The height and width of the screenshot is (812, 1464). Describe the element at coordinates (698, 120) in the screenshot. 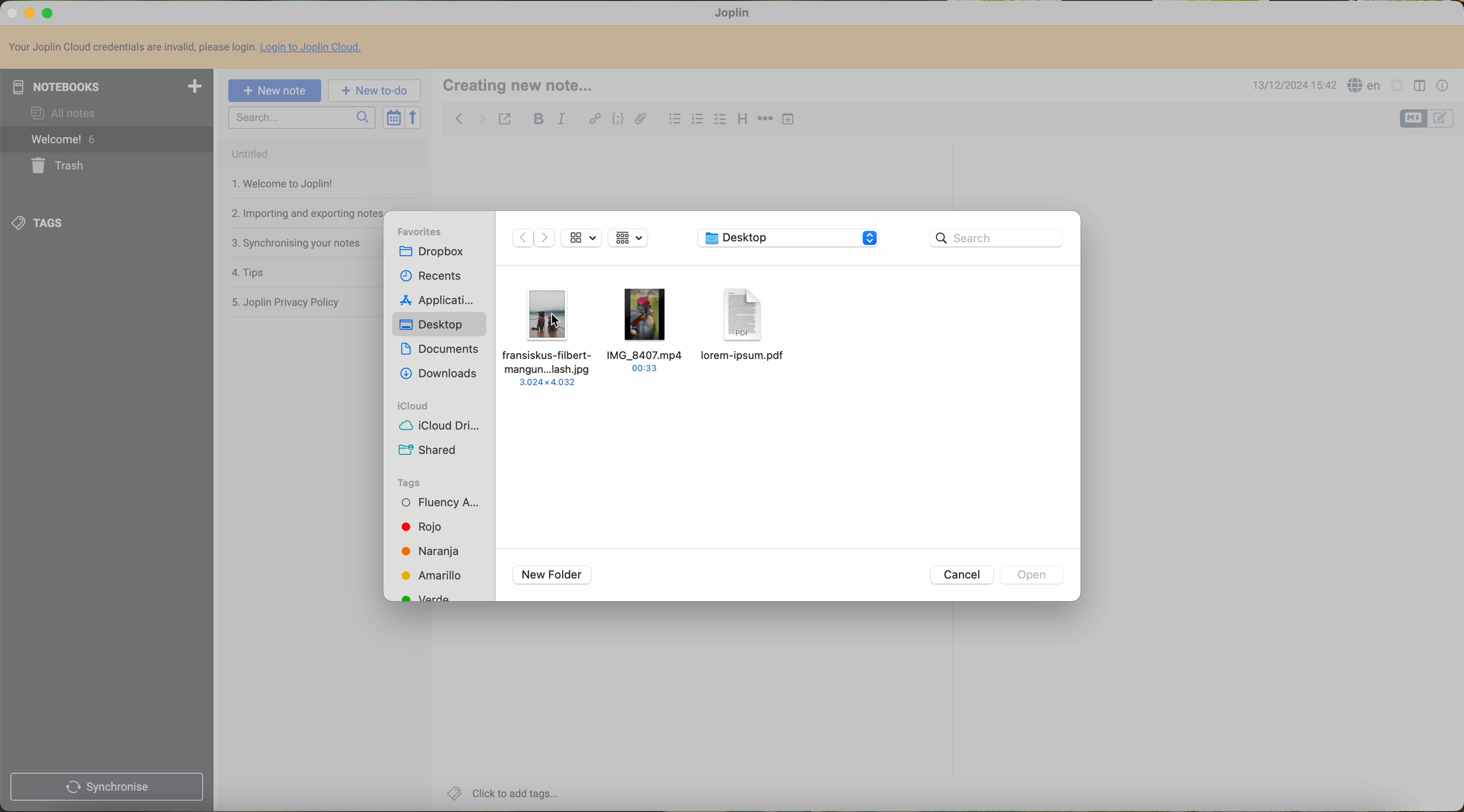

I see `numbered list` at that location.